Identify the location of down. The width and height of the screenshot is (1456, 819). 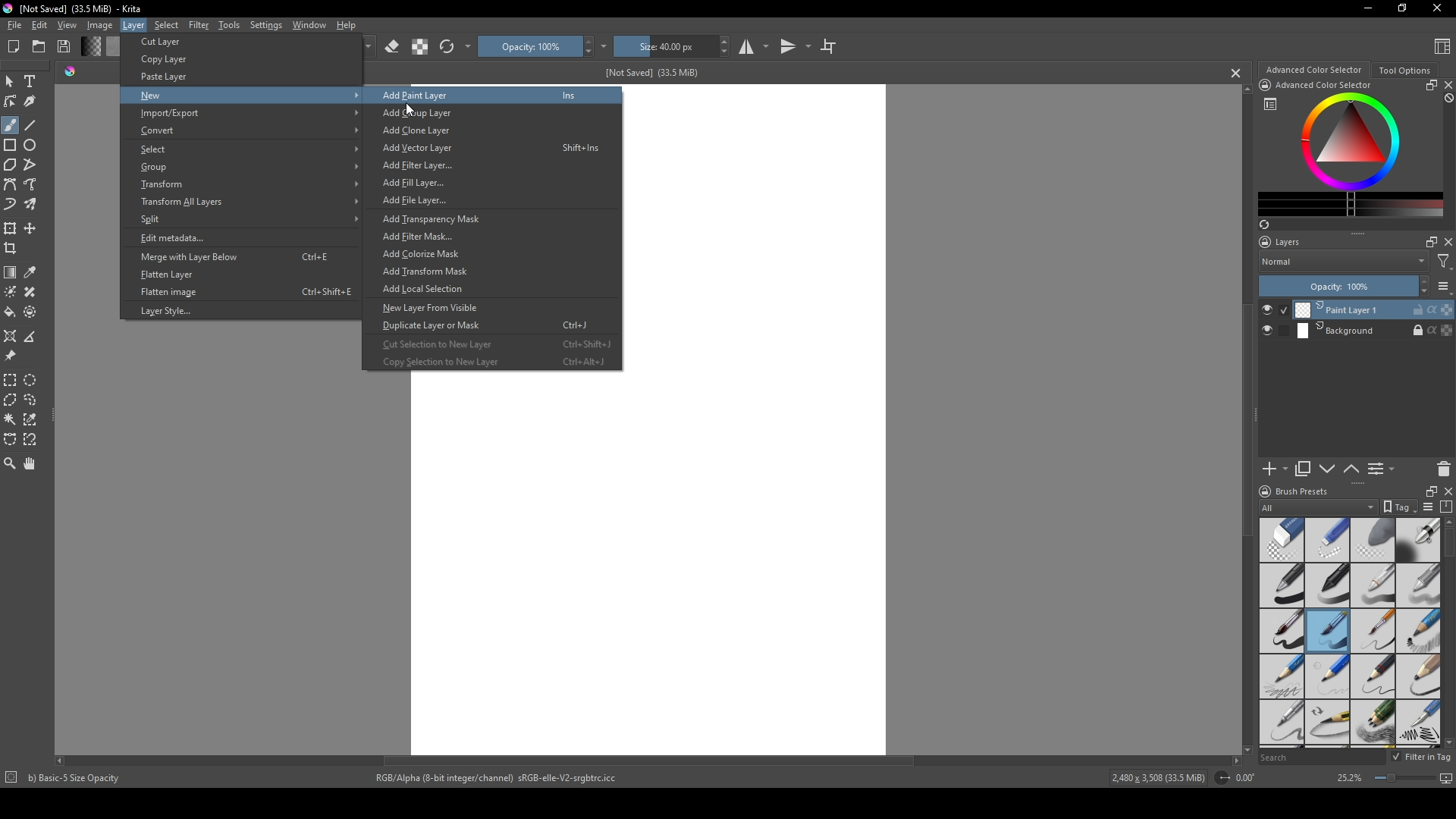
(1327, 469).